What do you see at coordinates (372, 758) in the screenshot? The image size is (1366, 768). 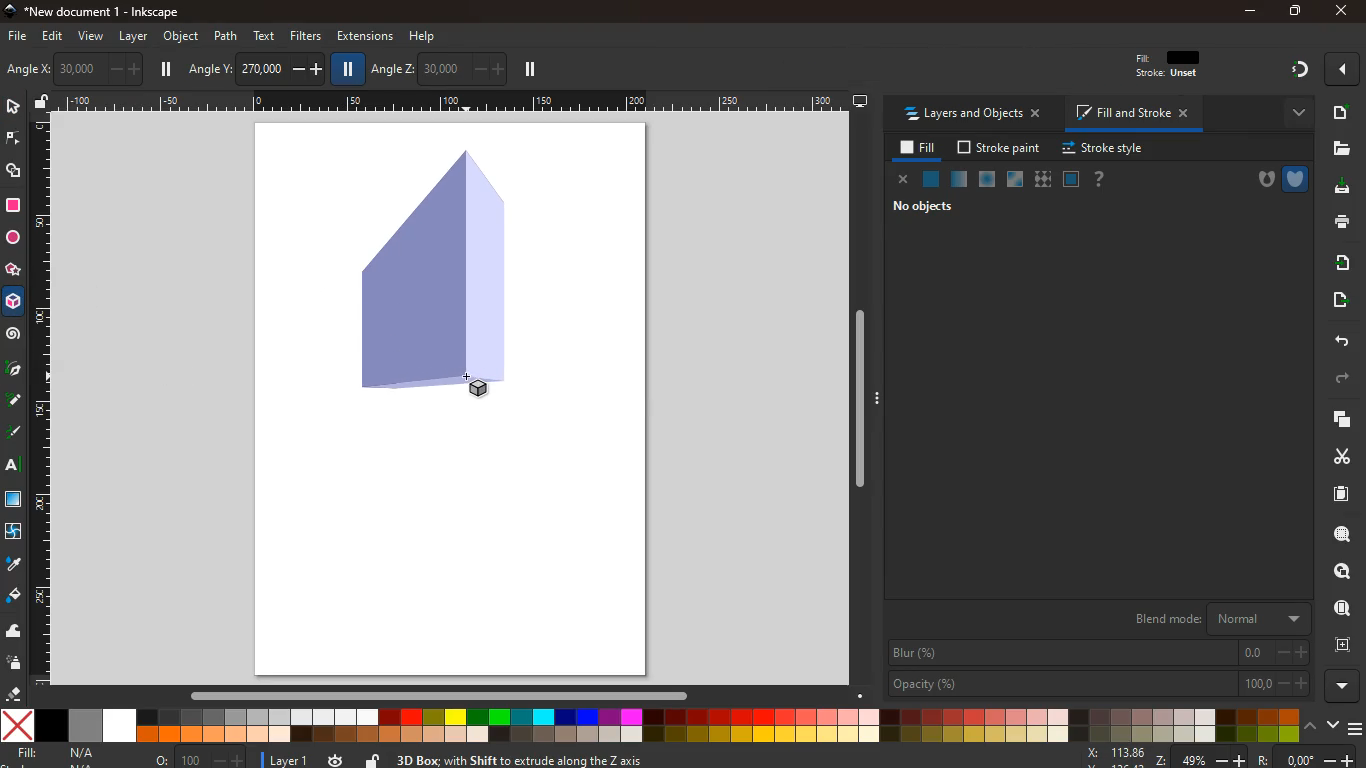 I see `unlock` at bounding box center [372, 758].